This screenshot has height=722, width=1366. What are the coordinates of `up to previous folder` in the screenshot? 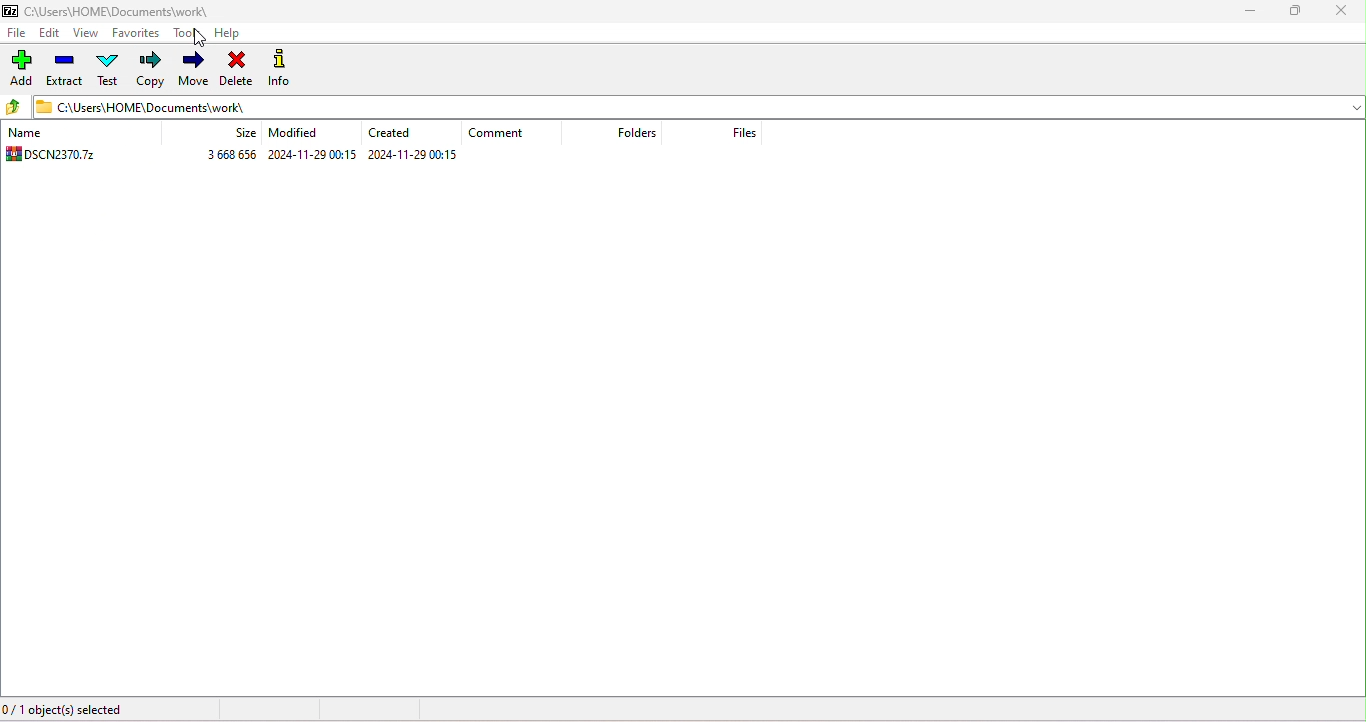 It's located at (14, 105).